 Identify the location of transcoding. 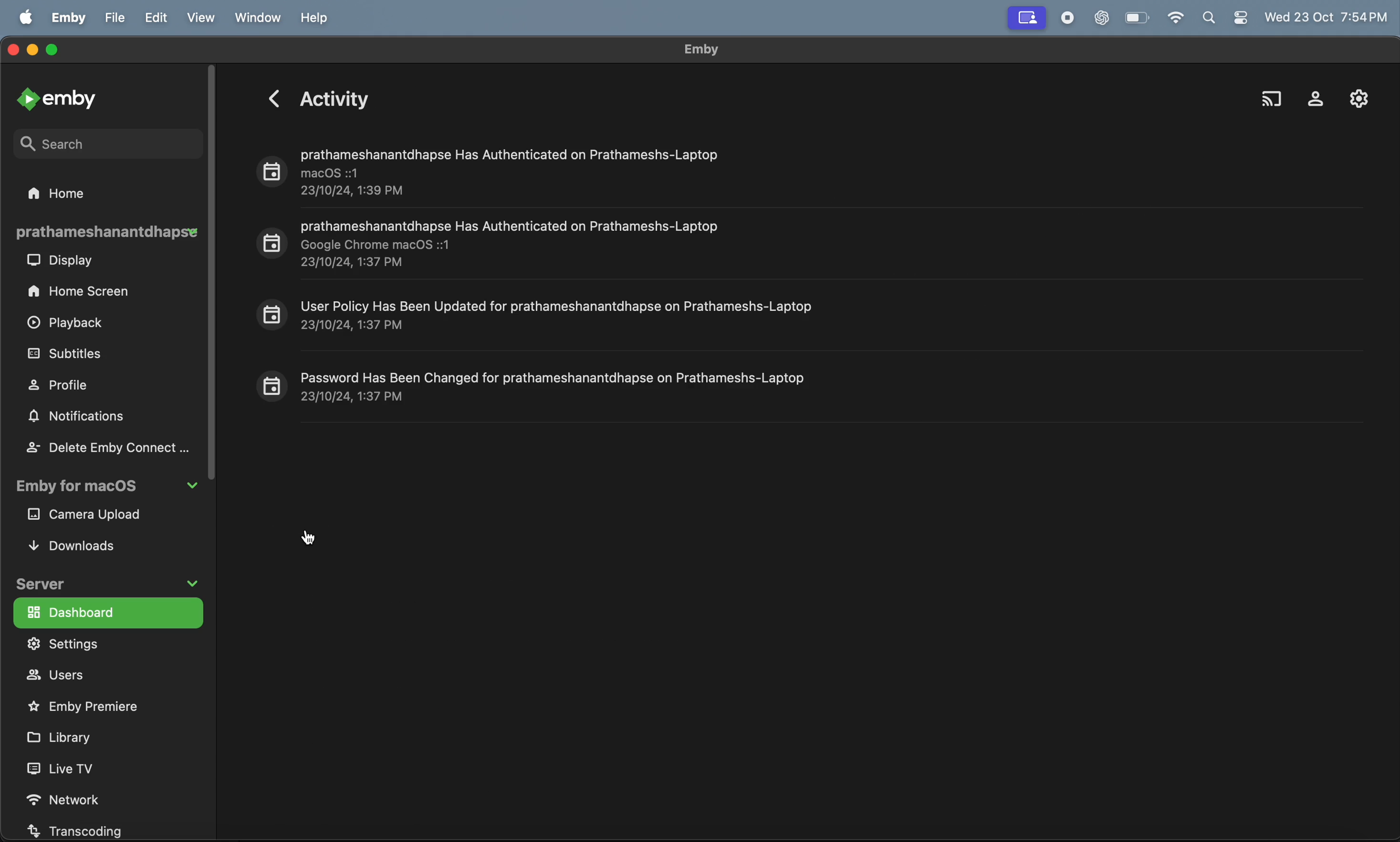
(86, 830).